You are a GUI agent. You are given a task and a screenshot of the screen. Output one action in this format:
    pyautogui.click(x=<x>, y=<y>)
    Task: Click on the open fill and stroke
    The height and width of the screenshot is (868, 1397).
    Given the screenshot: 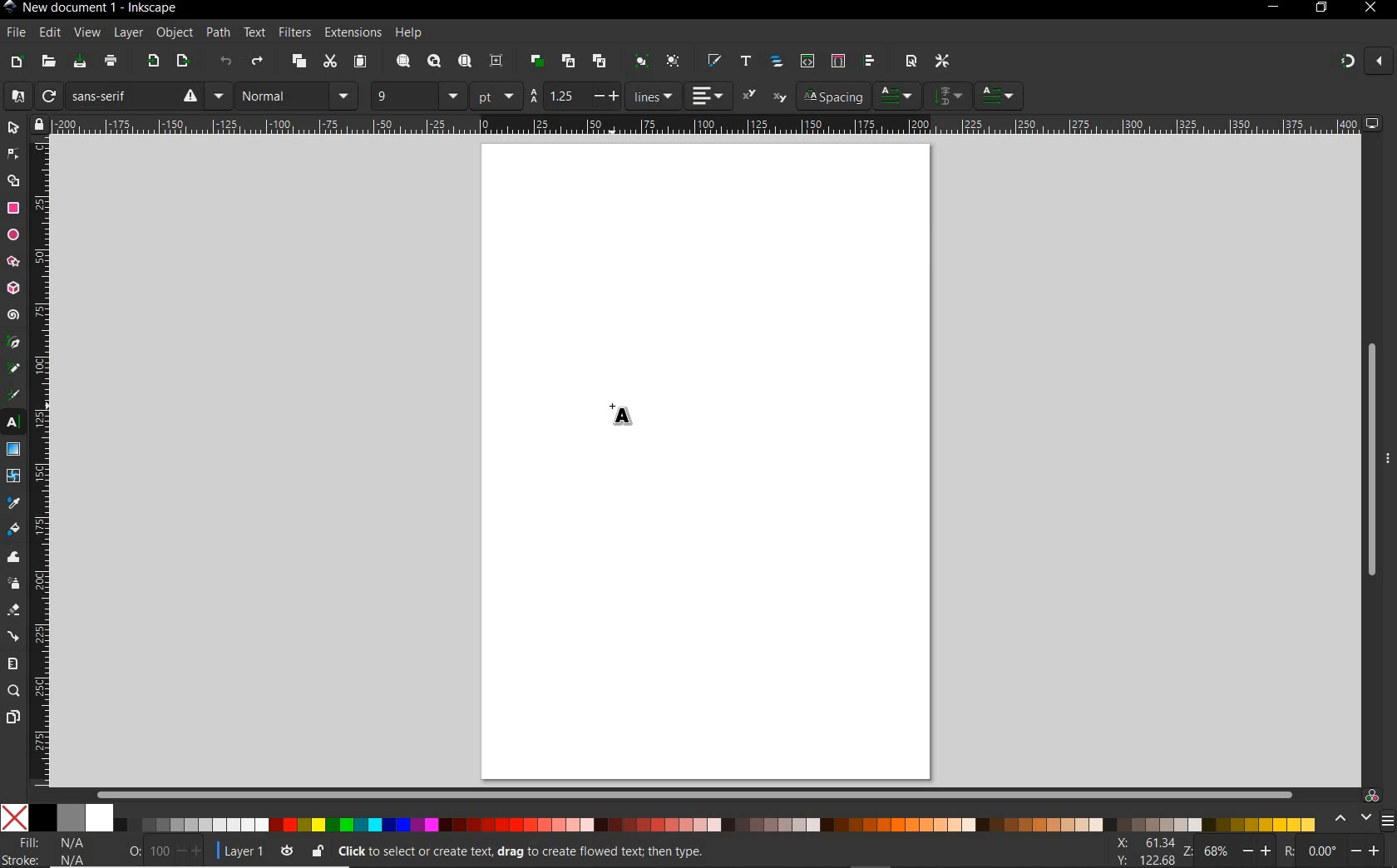 What is the action you would take?
    pyautogui.click(x=713, y=61)
    